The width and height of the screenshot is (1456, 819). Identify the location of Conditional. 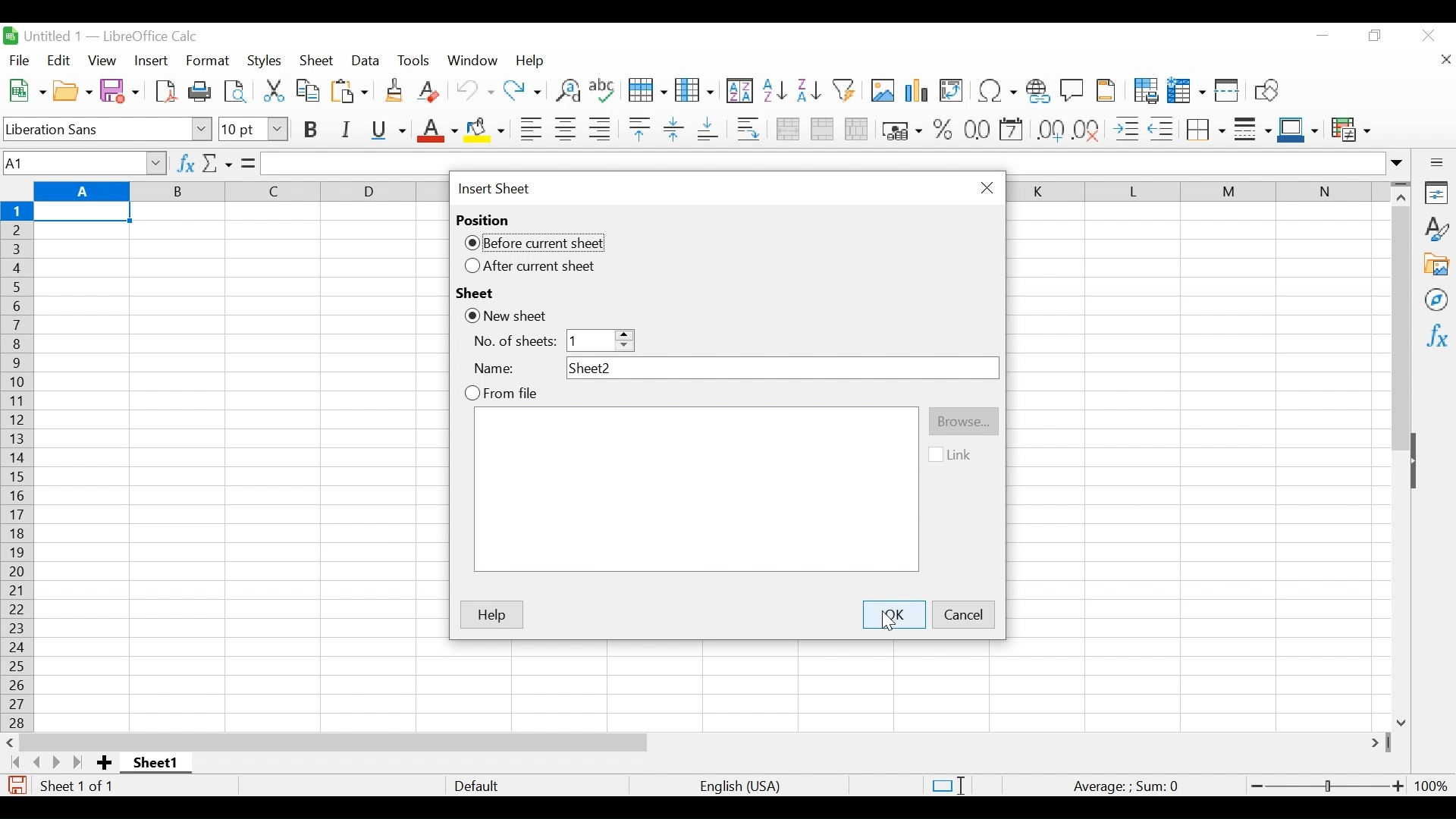
(1350, 131).